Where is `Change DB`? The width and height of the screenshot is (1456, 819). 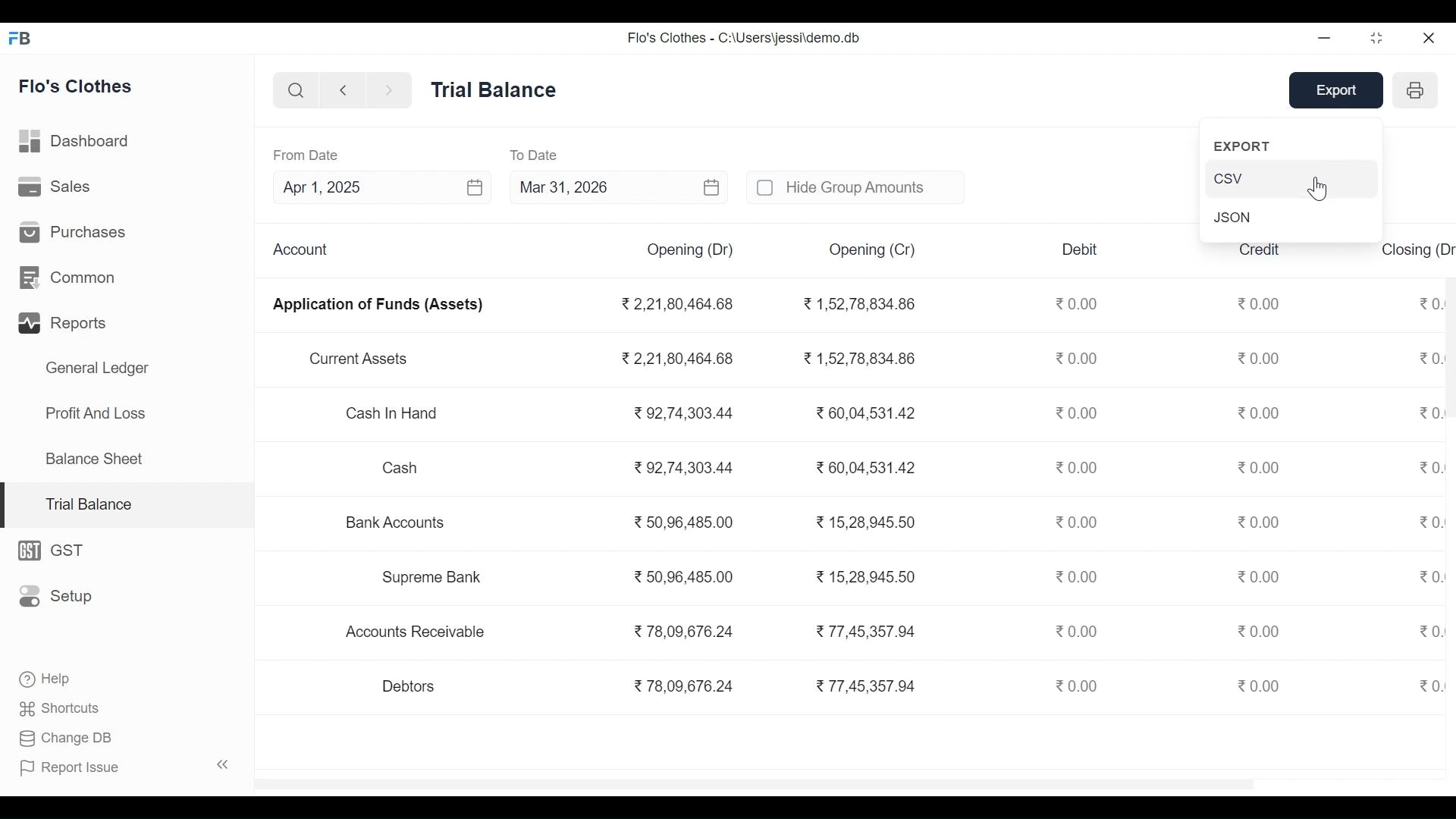
Change DB is located at coordinates (69, 738).